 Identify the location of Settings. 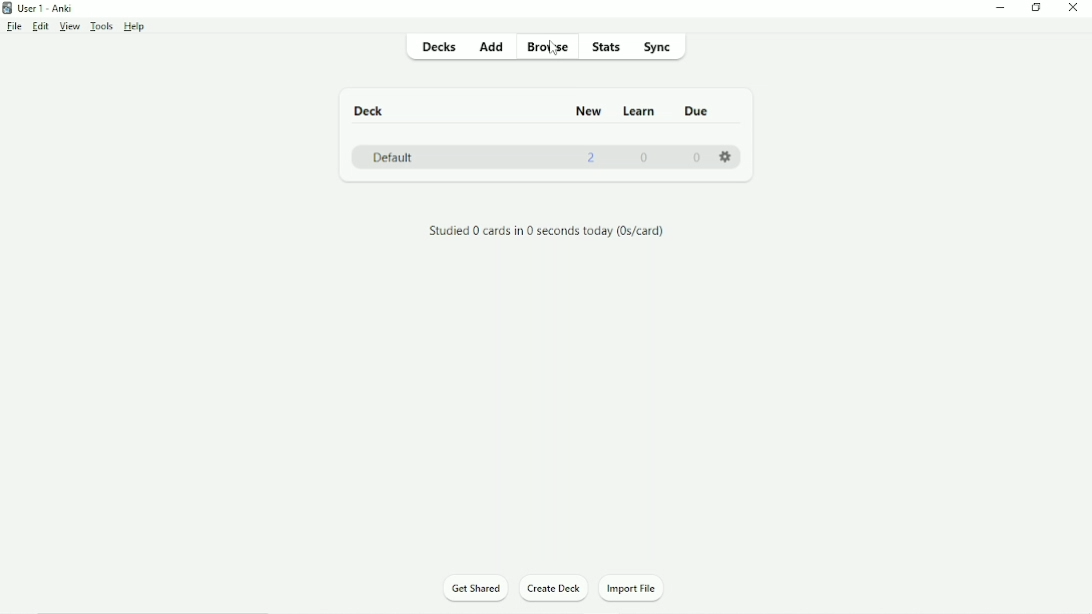
(727, 159).